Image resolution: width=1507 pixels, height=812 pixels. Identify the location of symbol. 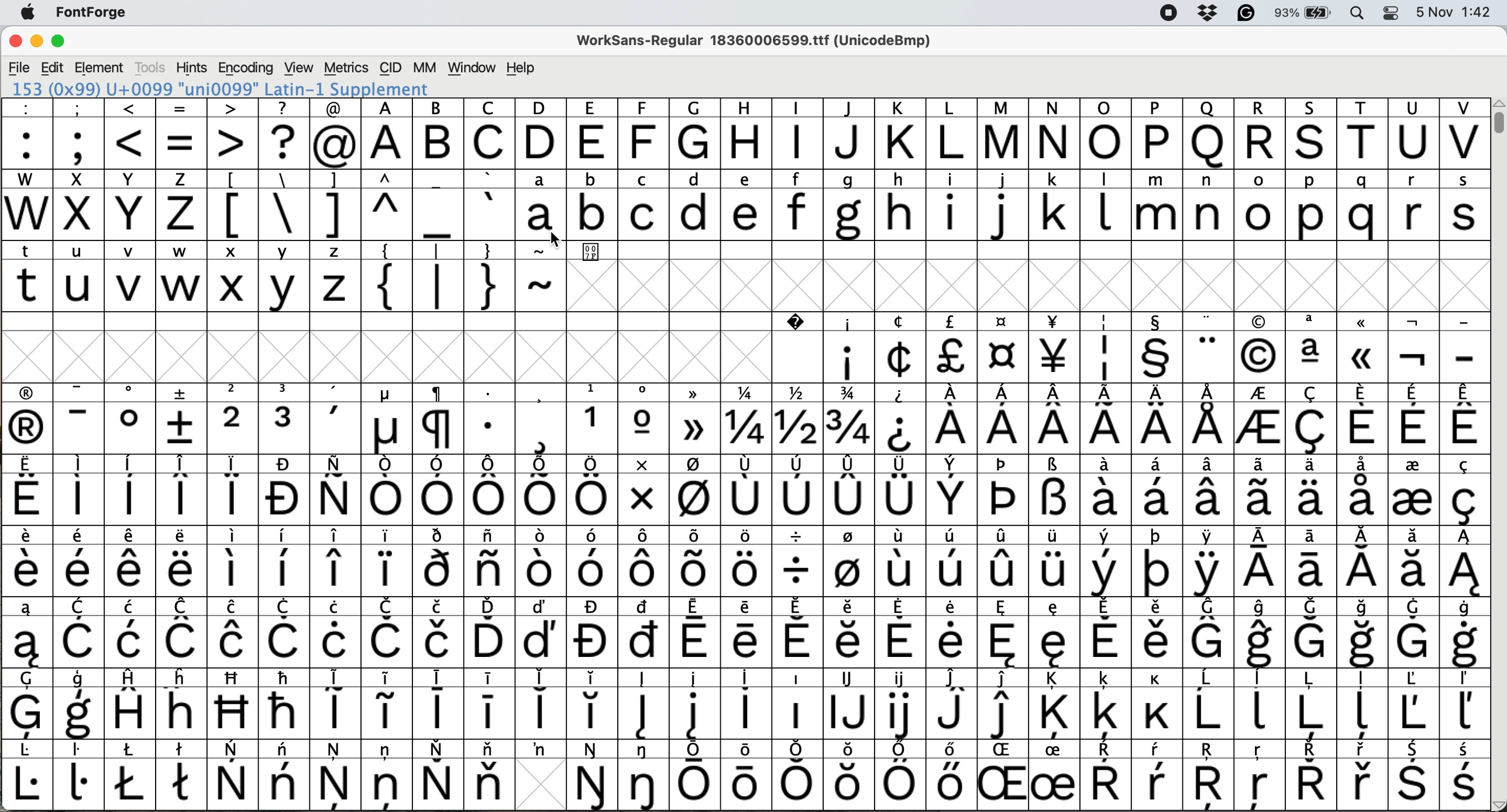
(28, 419).